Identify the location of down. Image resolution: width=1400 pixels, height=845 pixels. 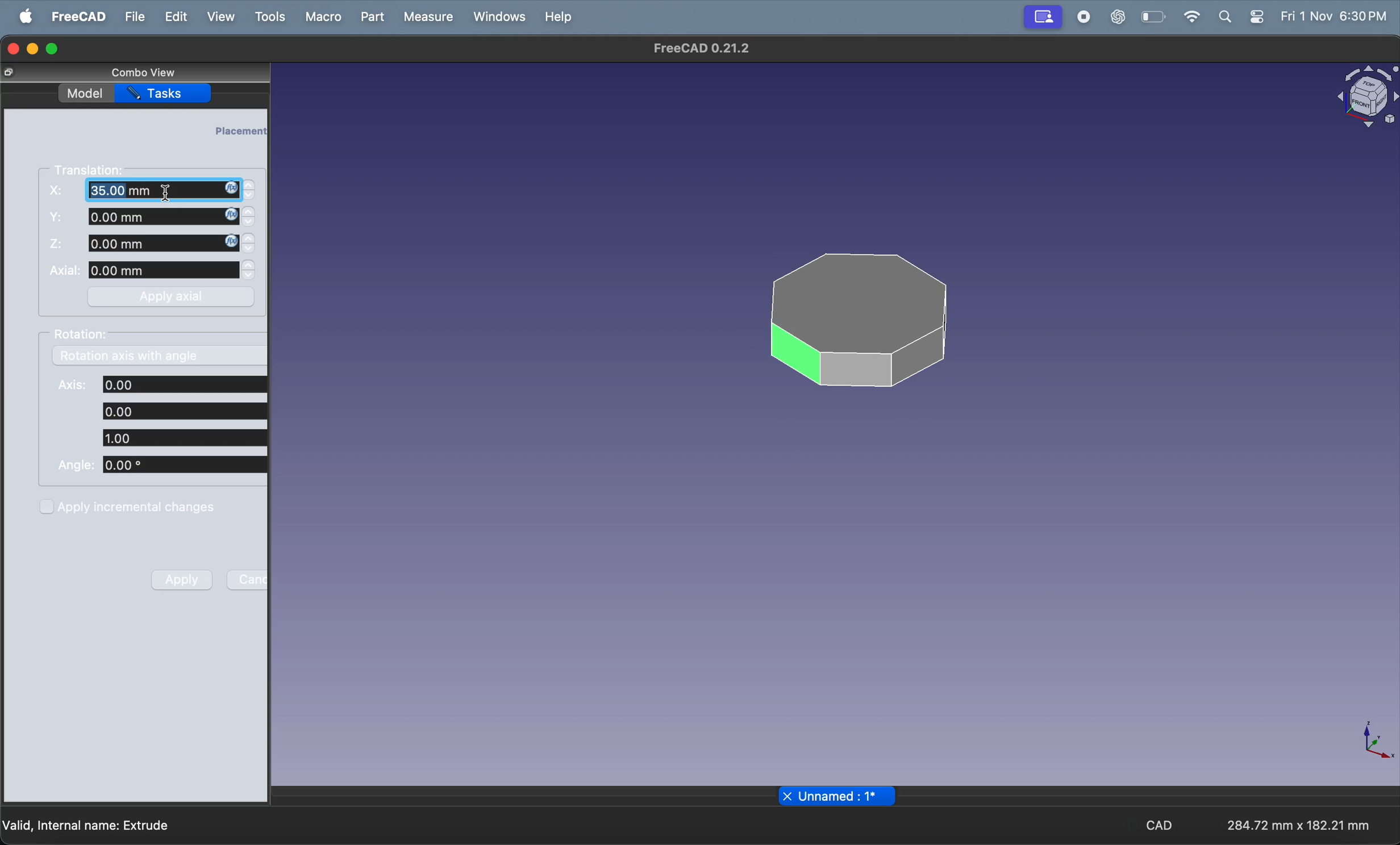
(250, 277).